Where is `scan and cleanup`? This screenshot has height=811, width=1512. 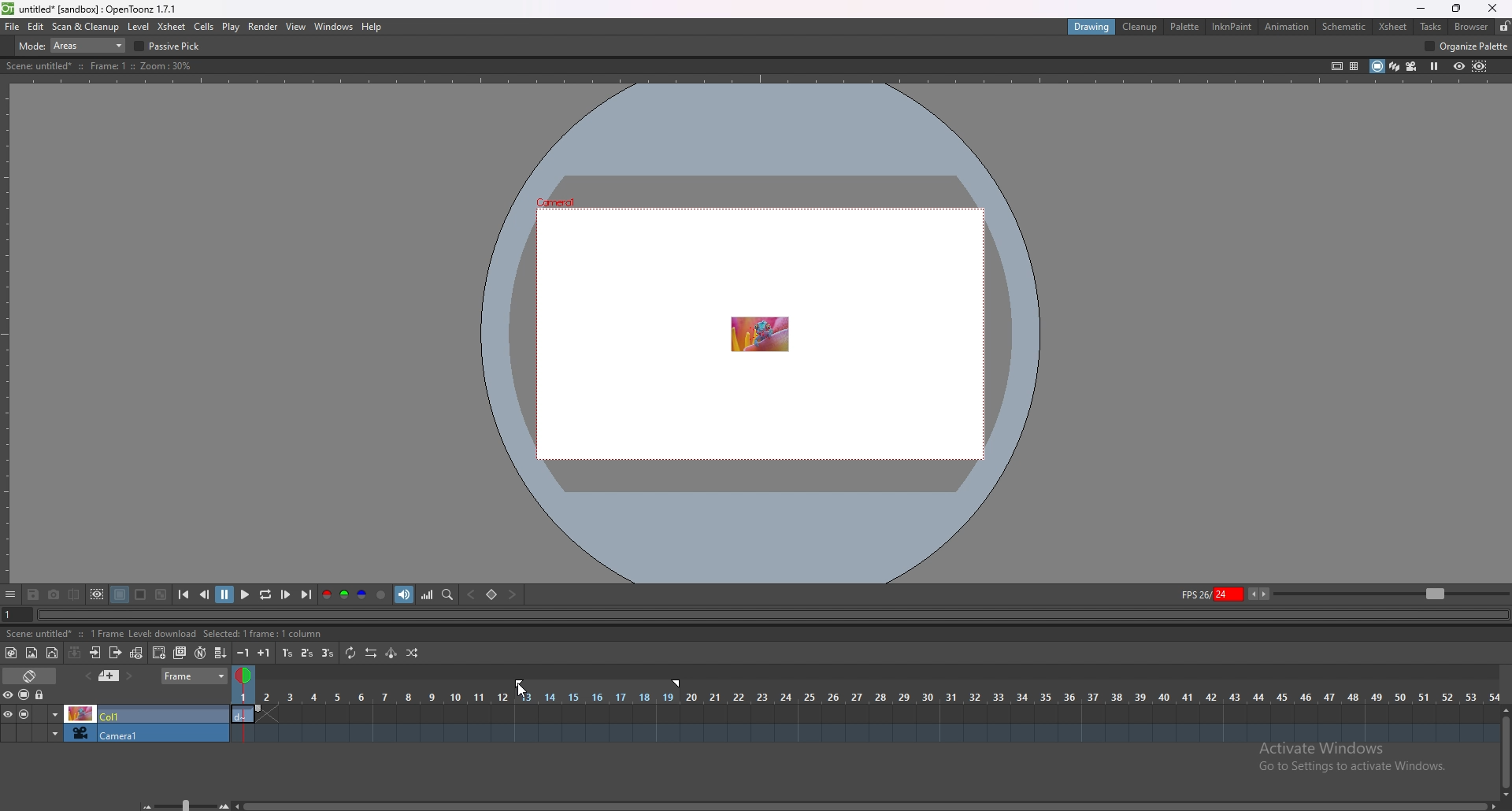
scan and cleanup is located at coordinates (87, 26).